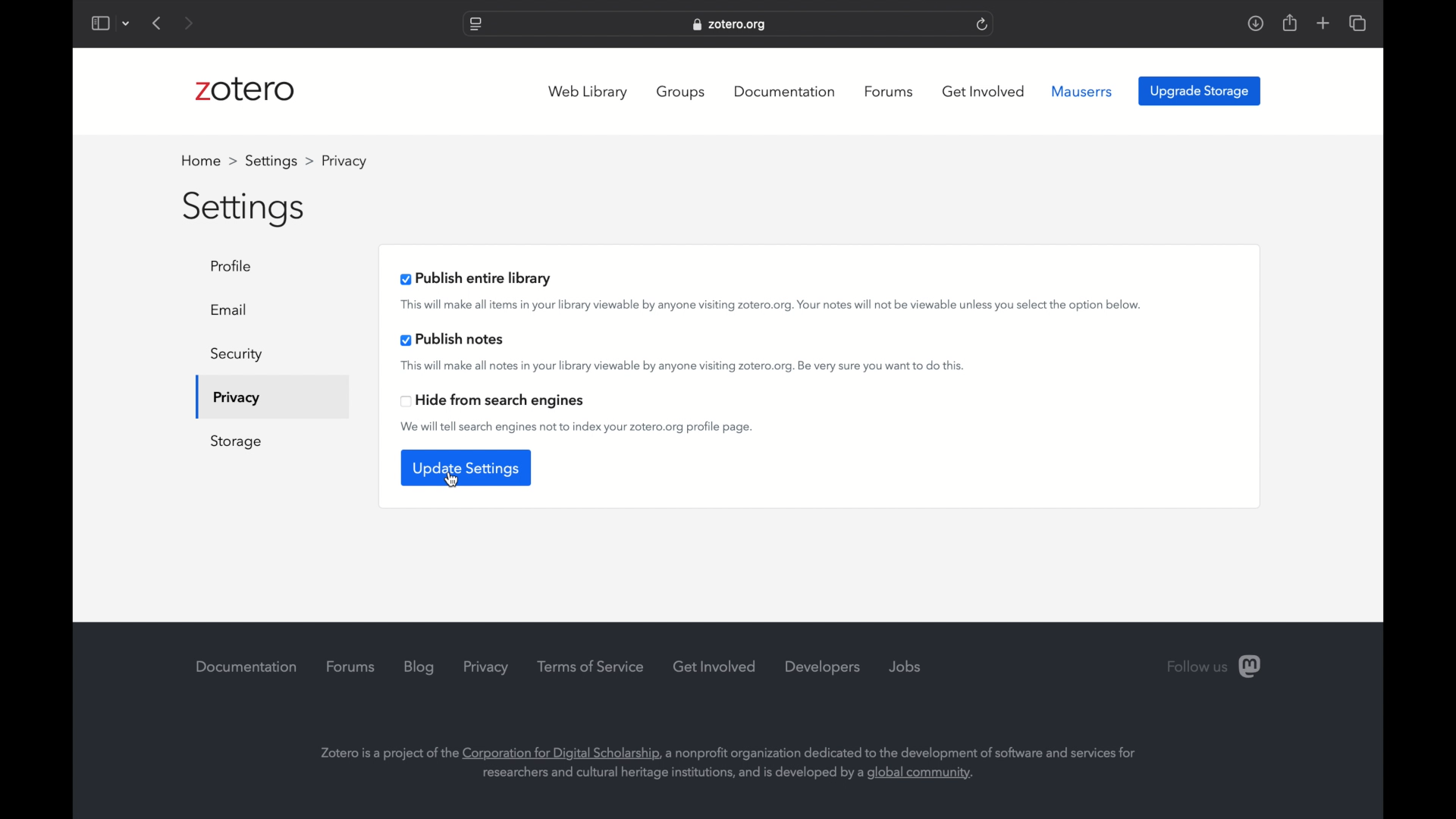  What do you see at coordinates (1255, 24) in the screenshot?
I see `downloads` at bounding box center [1255, 24].